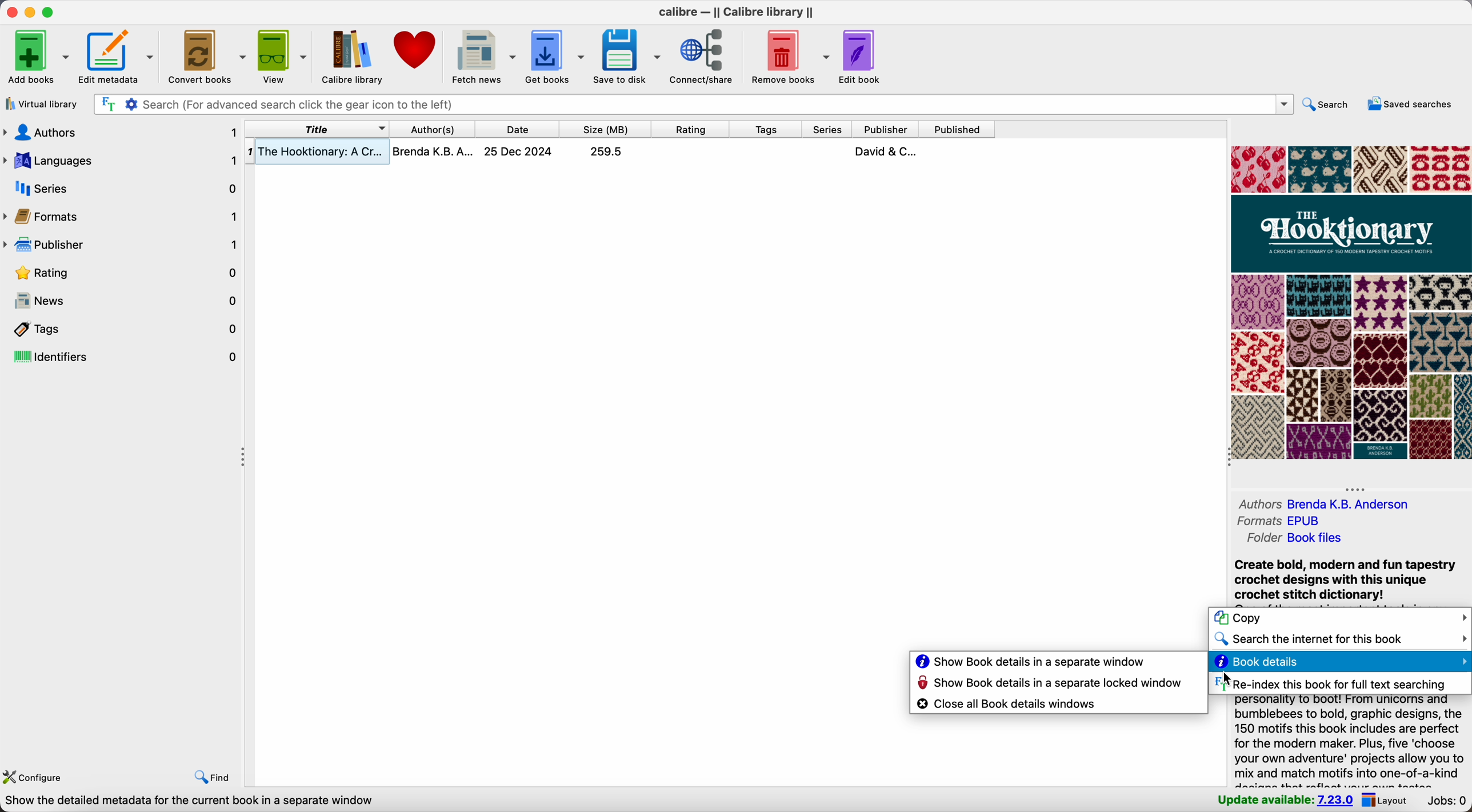 Image resolution: width=1472 pixels, height=812 pixels. I want to click on fetch news, so click(484, 55).